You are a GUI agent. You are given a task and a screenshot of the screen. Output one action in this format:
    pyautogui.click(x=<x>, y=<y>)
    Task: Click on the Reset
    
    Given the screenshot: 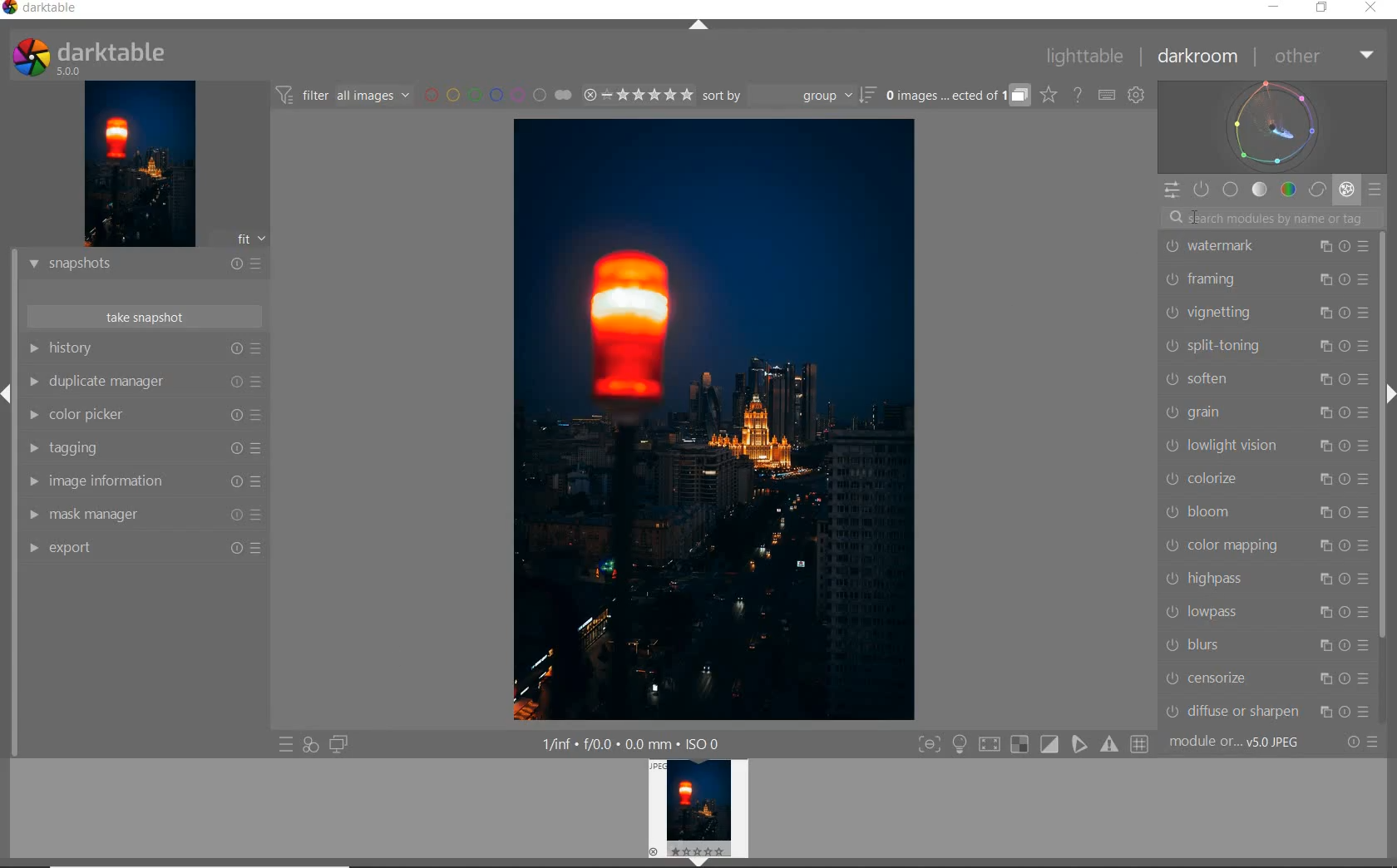 What is the action you would take?
    pyautogui.click(x=234, y=417)
    